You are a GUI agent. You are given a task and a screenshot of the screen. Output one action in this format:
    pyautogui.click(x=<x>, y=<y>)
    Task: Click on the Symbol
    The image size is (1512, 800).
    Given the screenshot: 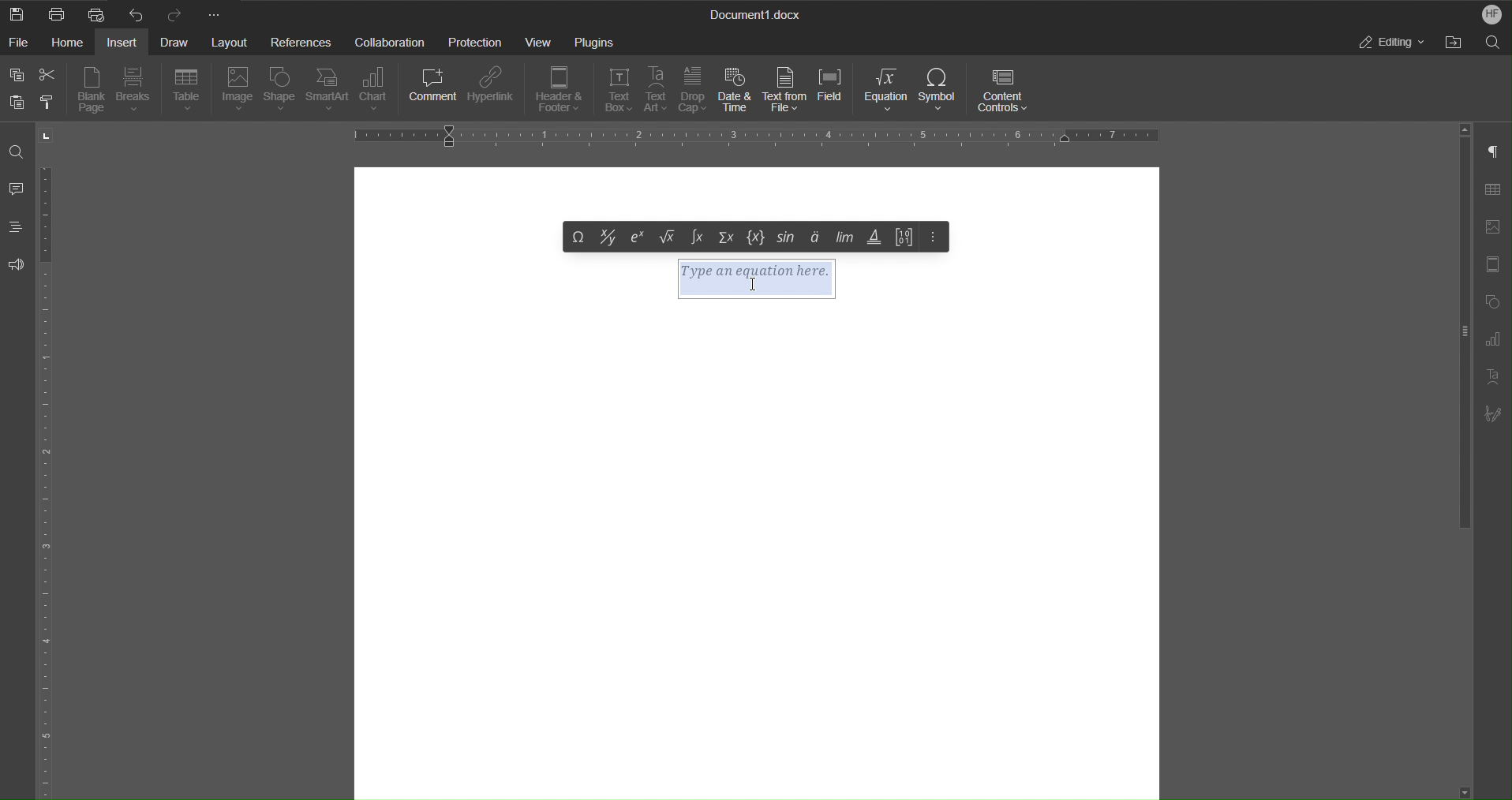 What is the action you would take?
    pyautogui.click(x=576, y=237)
    